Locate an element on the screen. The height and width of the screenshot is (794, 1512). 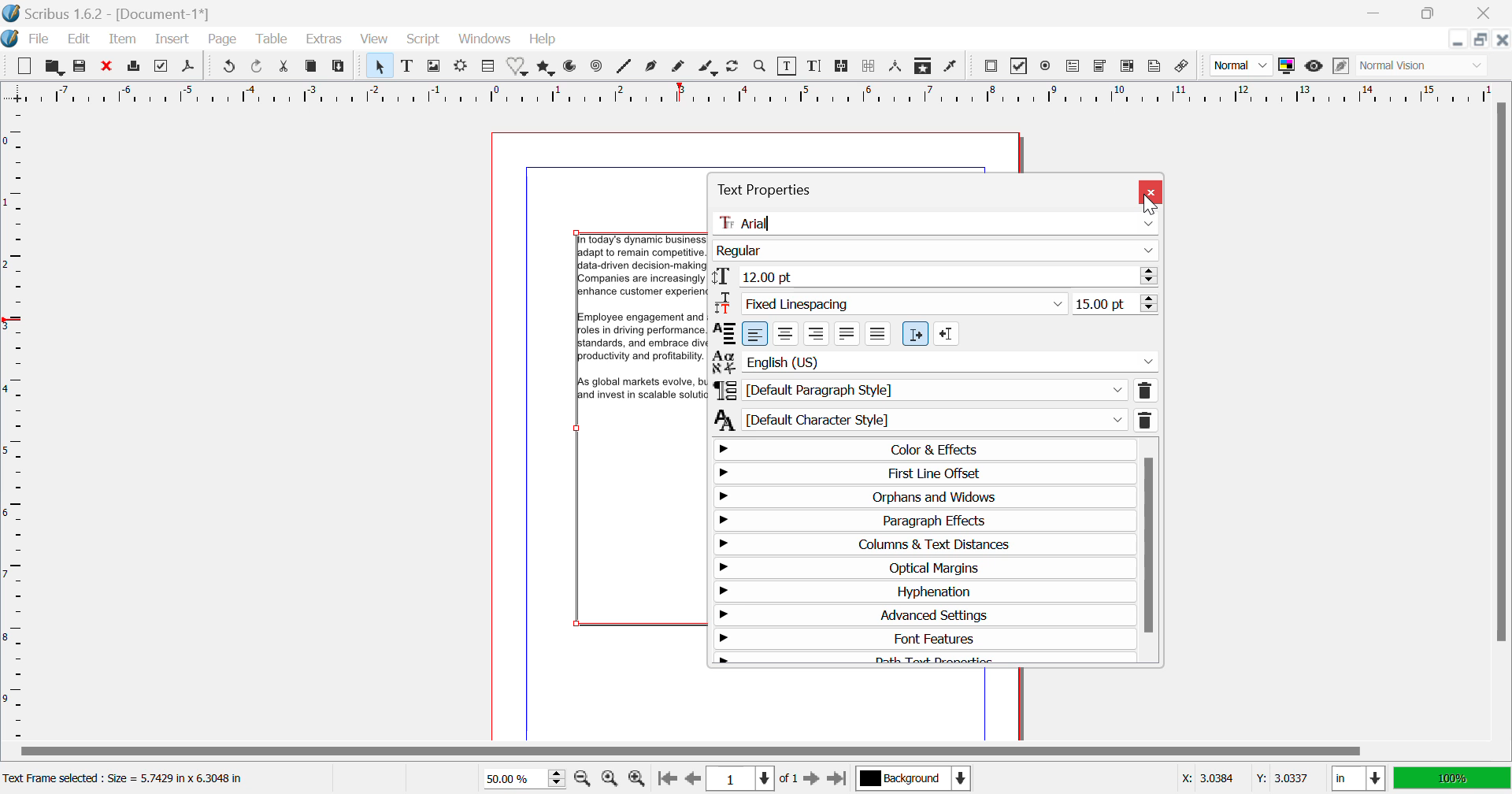
Save as Pdf is located at coordinates (189, 67).